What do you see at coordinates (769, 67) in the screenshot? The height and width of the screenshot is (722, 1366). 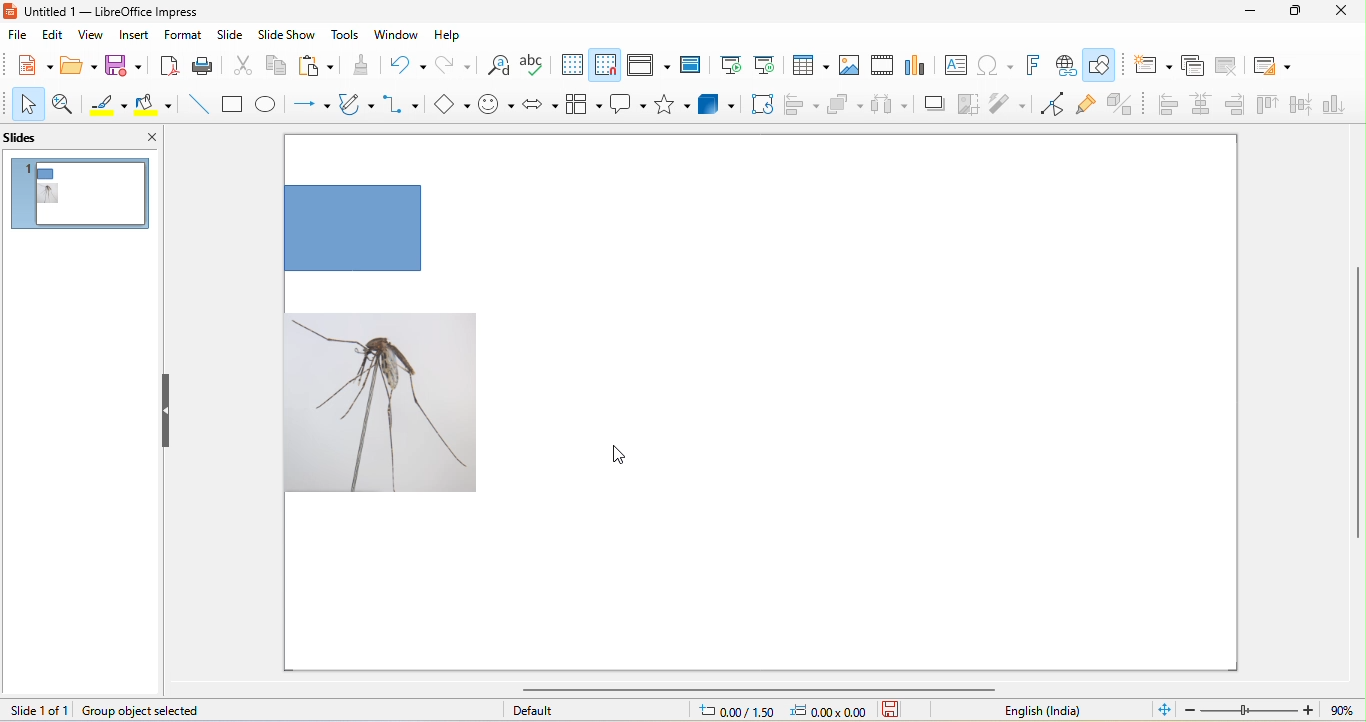 I see `start from current slide` at bounding box center [769, 67].